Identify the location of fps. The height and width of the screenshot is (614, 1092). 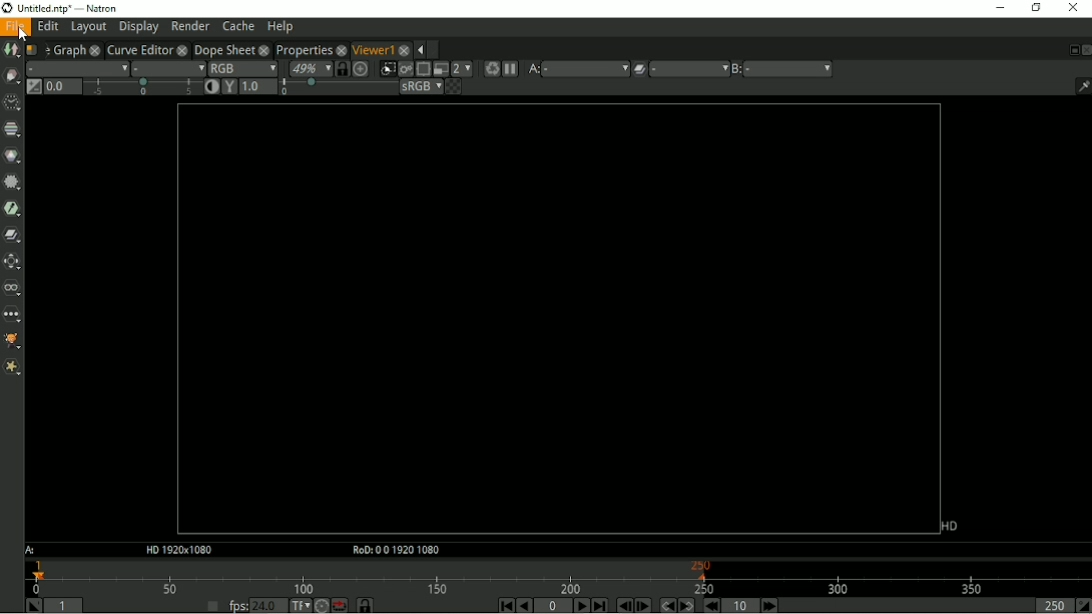
(238, 605).